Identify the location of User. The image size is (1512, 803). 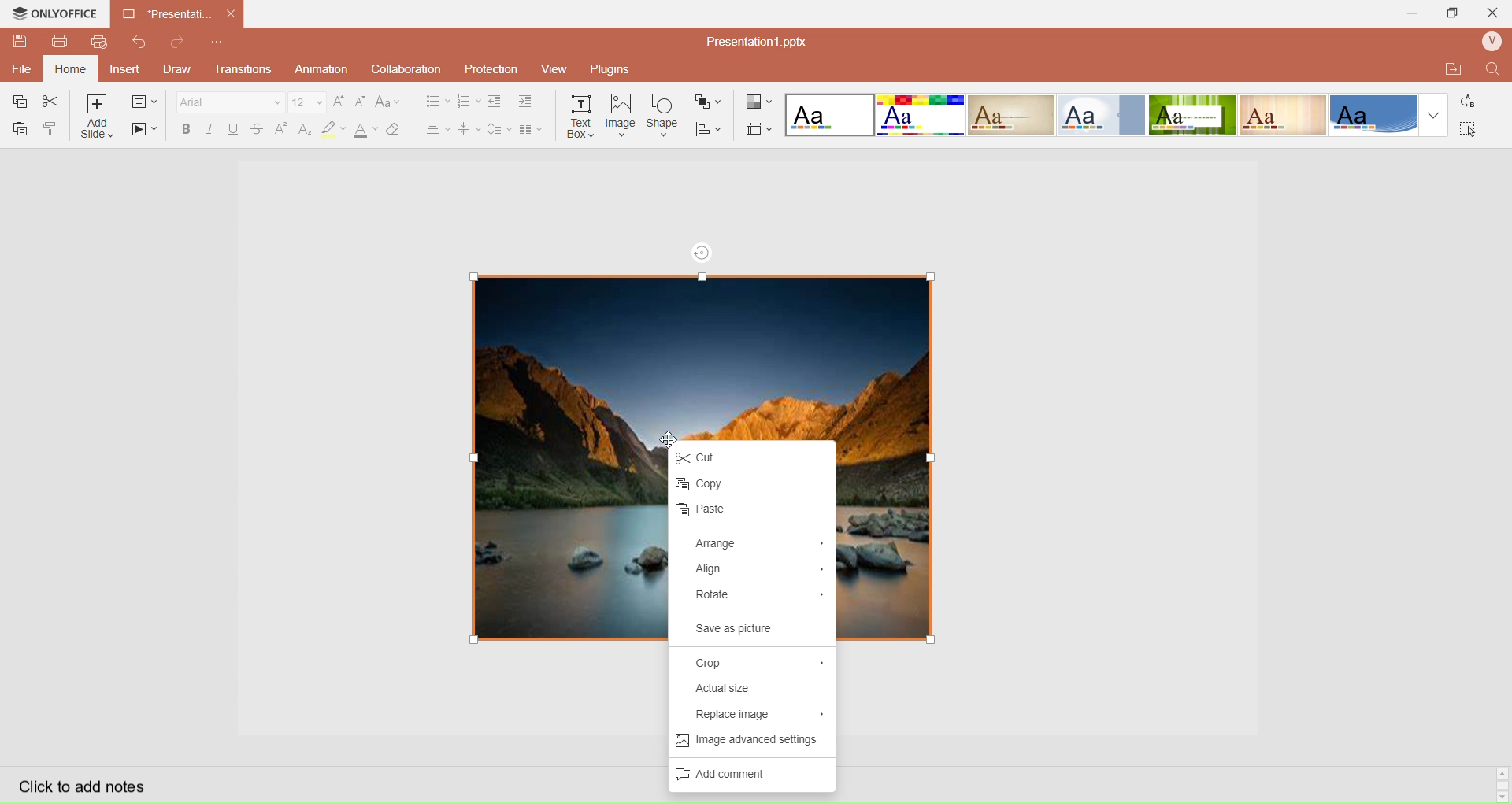
(1492, 43).